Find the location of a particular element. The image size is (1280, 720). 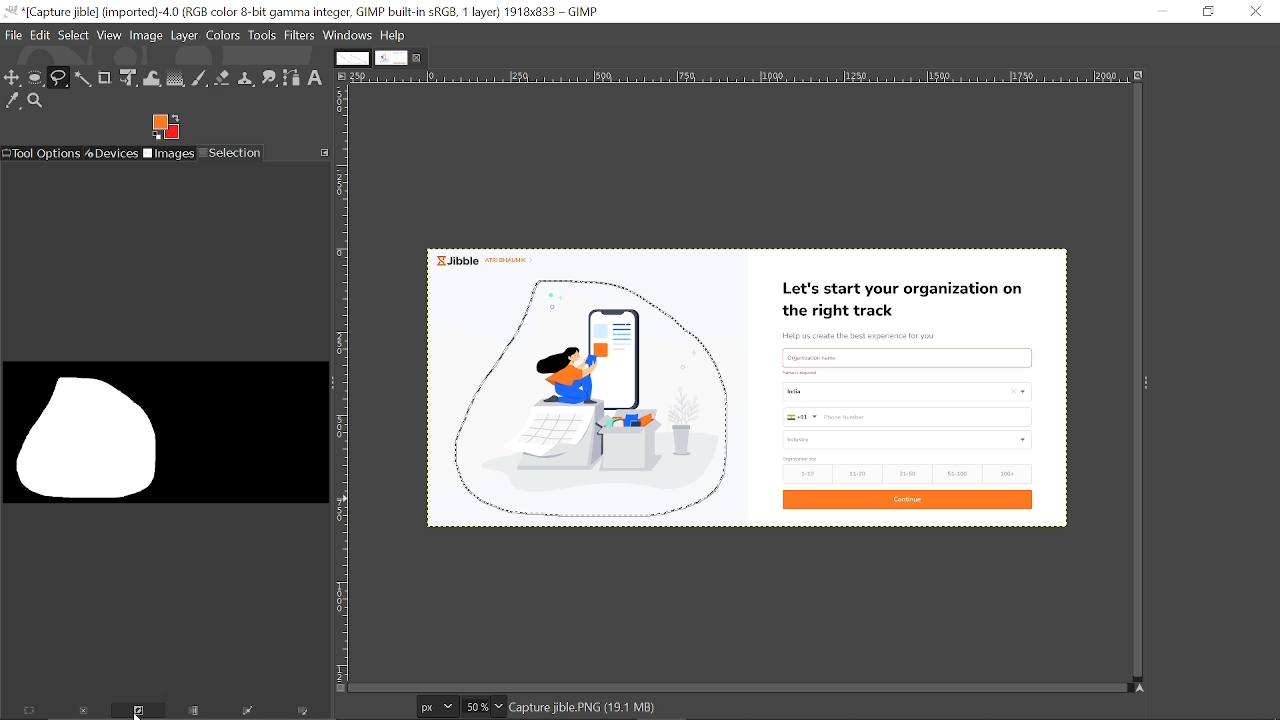

Windows is located at coordinates (348, 35).